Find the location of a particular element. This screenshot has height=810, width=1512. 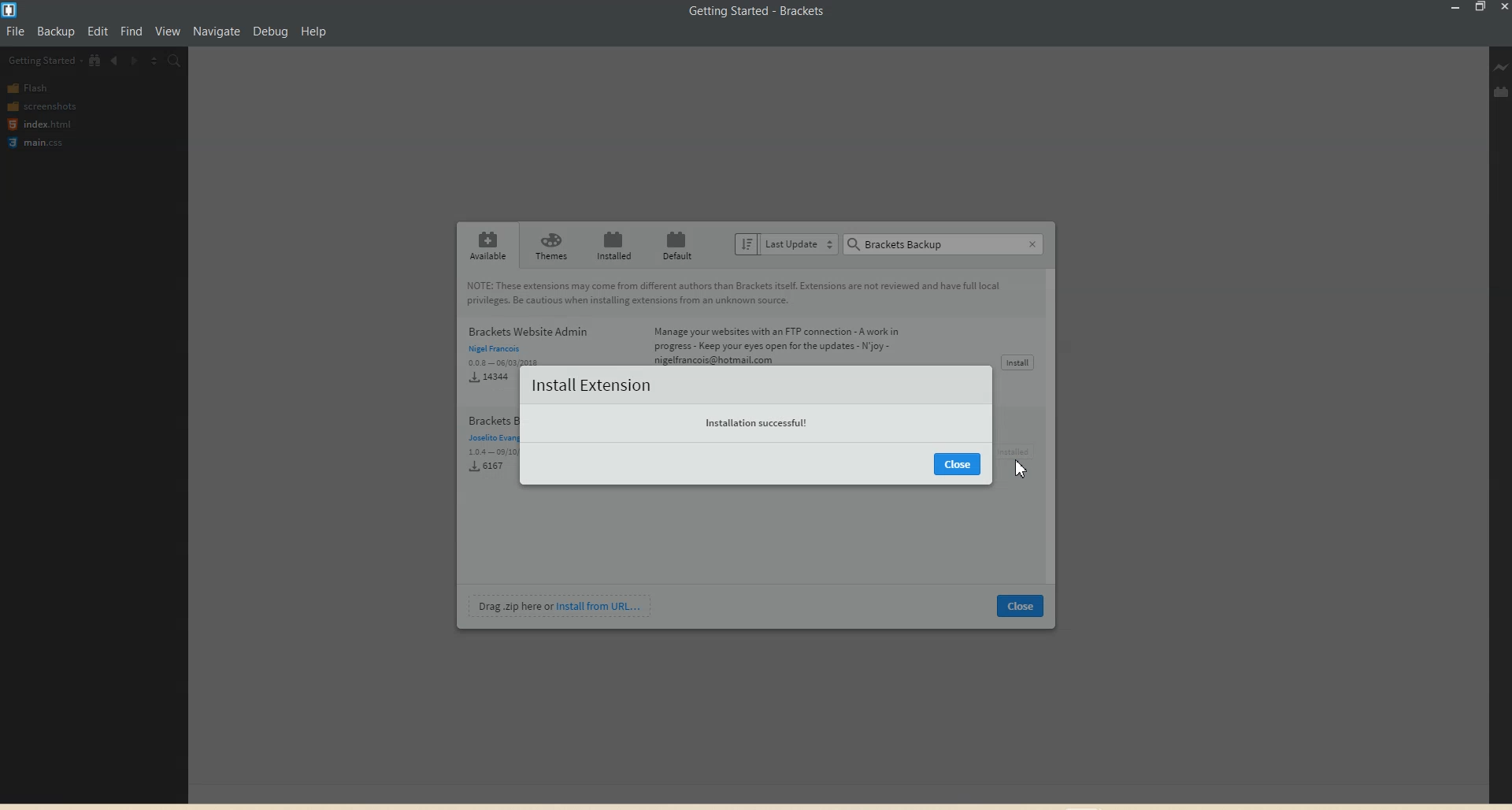

Installation Successful is located at coordinates (758, 420).